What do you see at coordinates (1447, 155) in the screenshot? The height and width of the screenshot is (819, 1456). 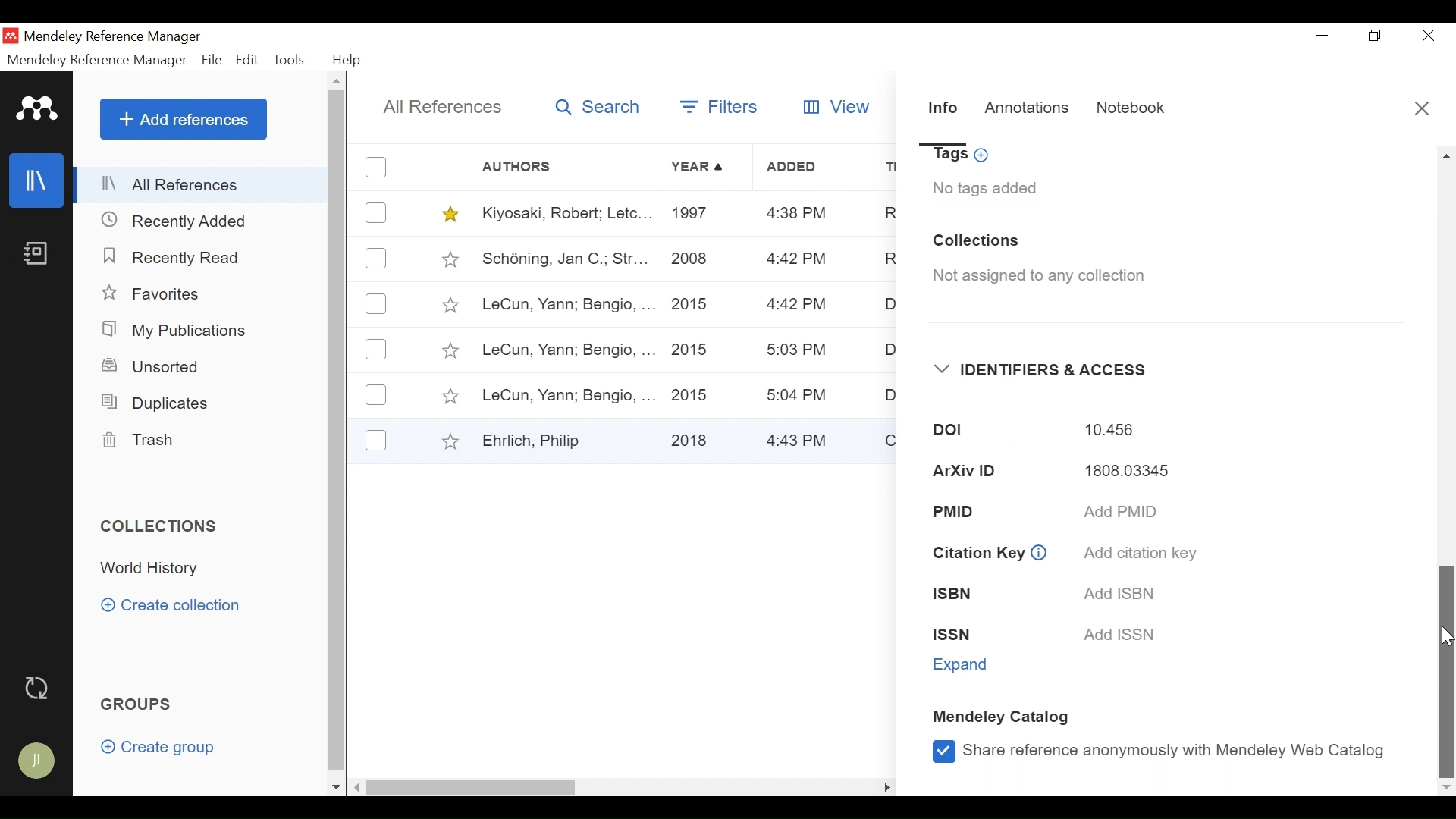 I see `Scroll up` at bounding box center [1447, 155].